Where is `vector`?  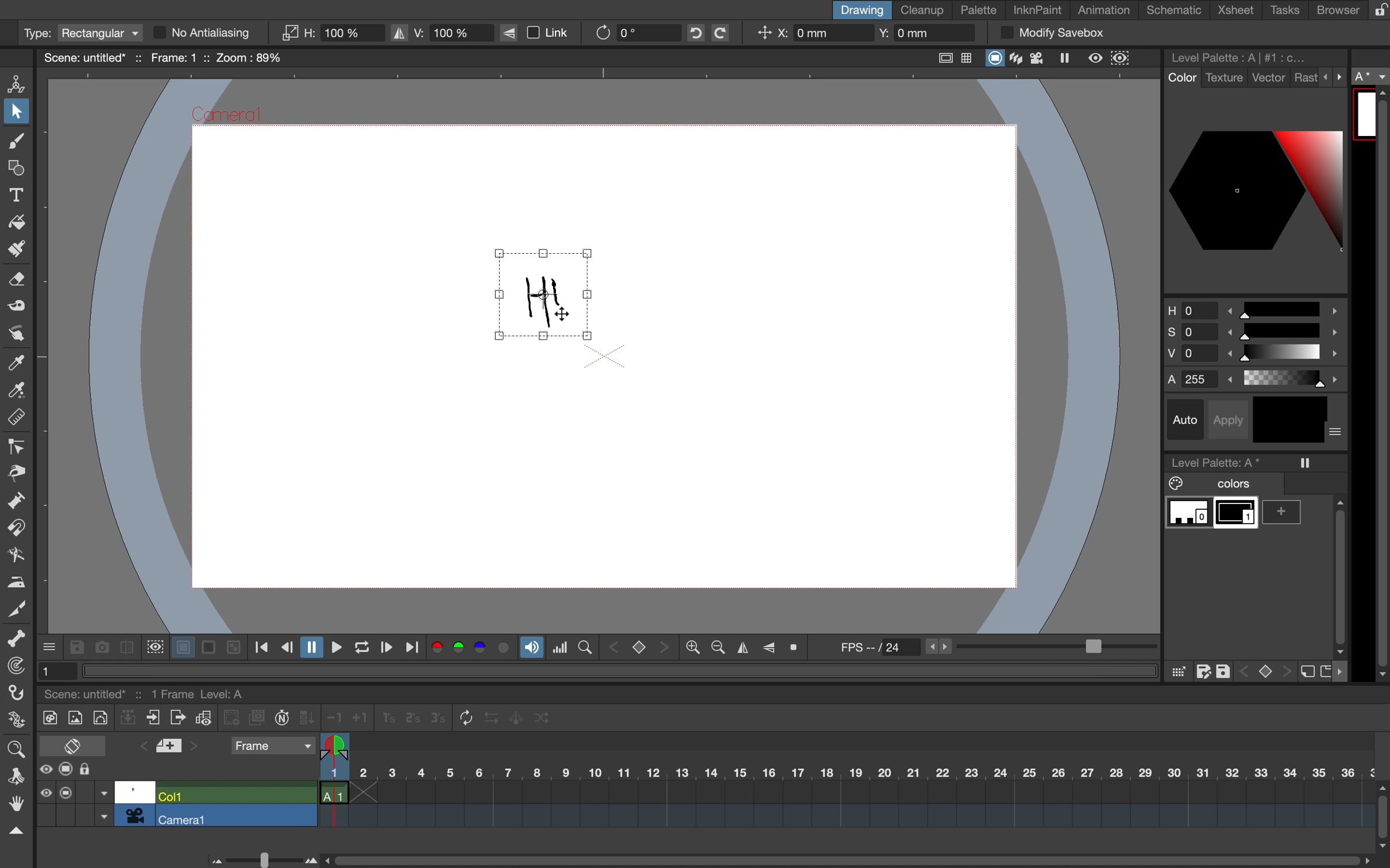
vector is located at coordinates (1269, 79).